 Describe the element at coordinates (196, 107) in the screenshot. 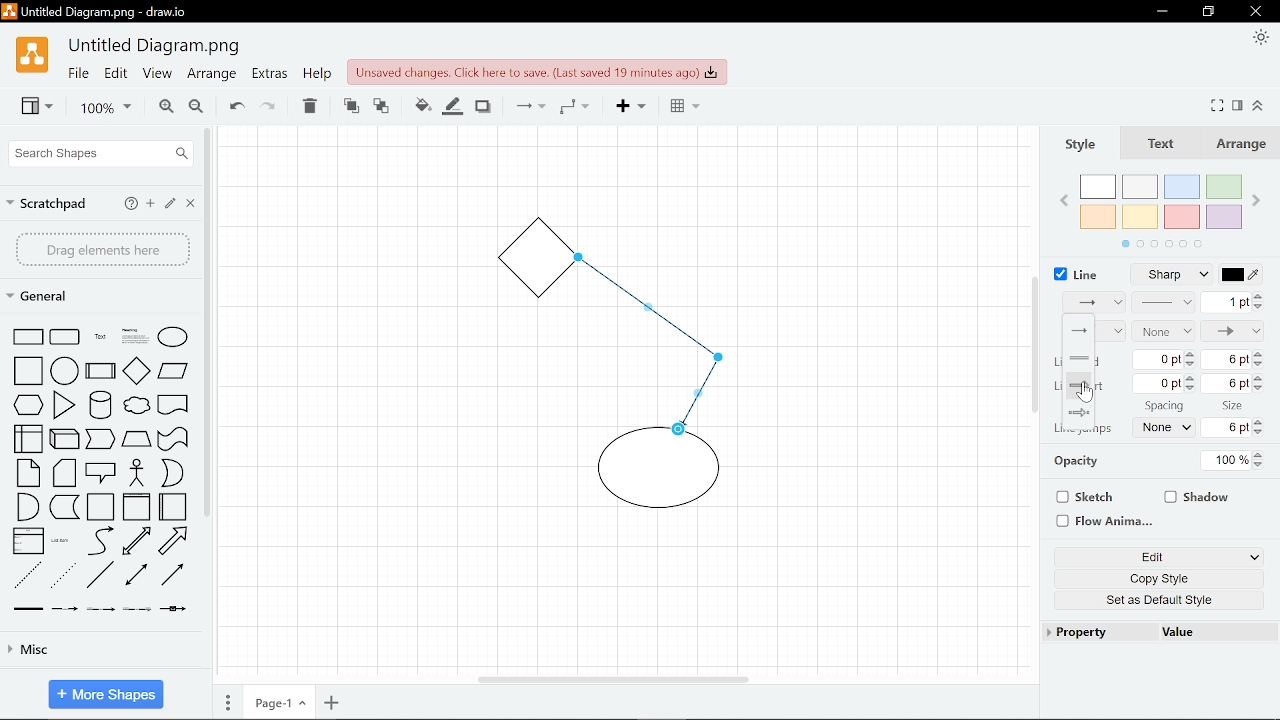

I see `Zoom out` at that location.